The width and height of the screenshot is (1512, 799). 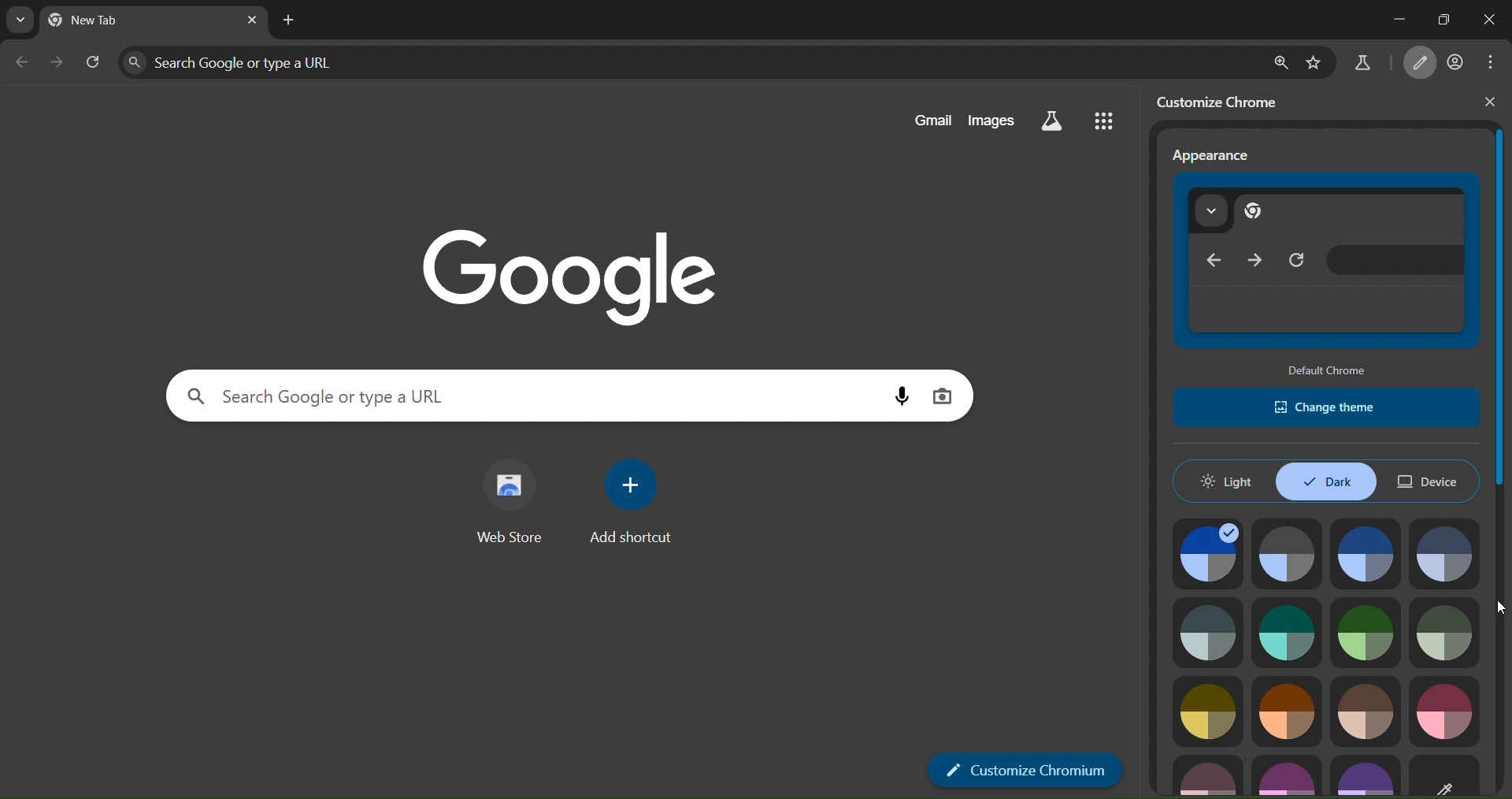 I want to click on web store, so click(x=513, y=504).